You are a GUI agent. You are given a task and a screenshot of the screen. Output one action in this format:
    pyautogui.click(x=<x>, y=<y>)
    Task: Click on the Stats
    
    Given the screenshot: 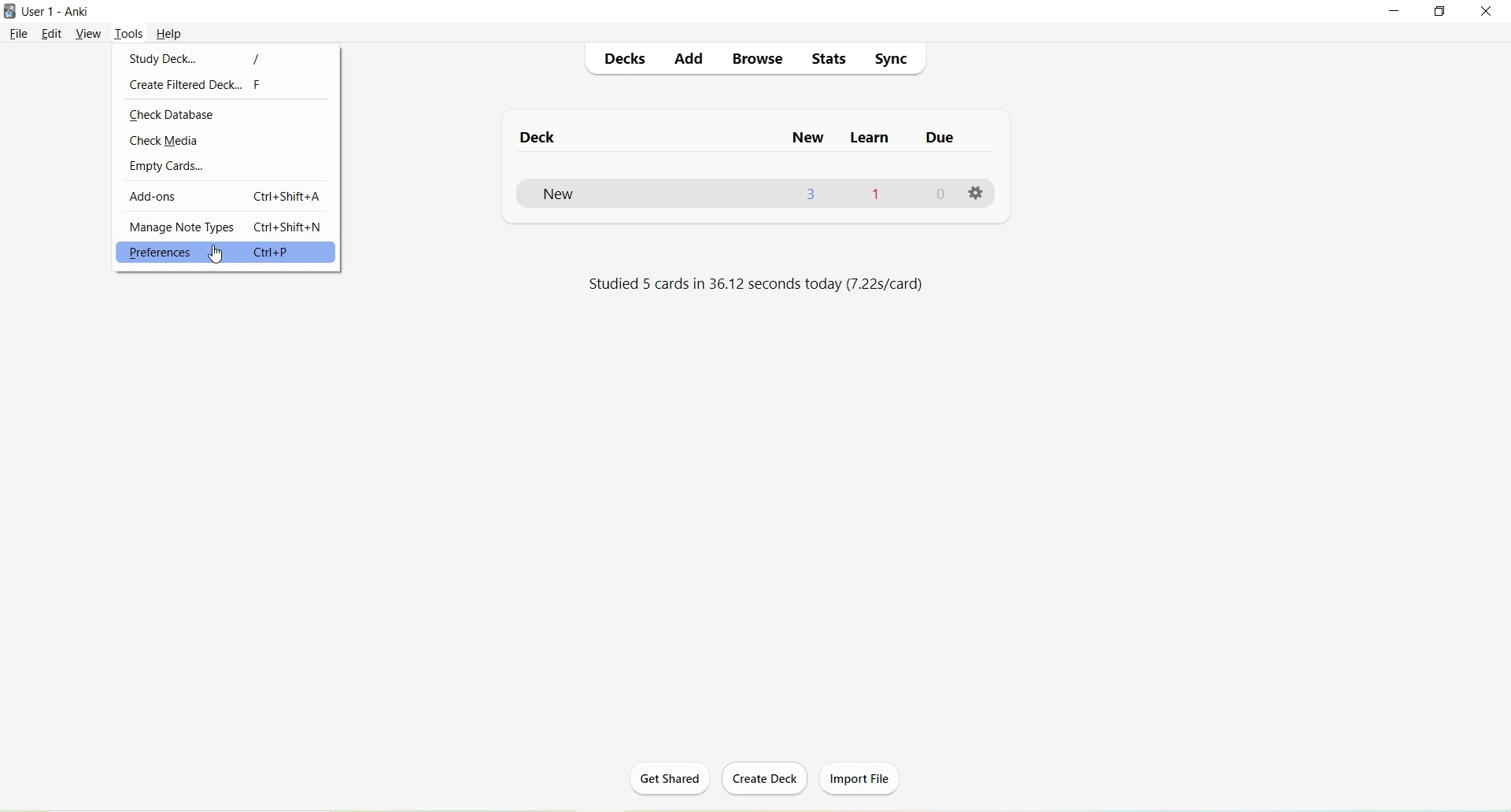 What is the action you would take?
    pyautogui.click(x=834, y=62)
    